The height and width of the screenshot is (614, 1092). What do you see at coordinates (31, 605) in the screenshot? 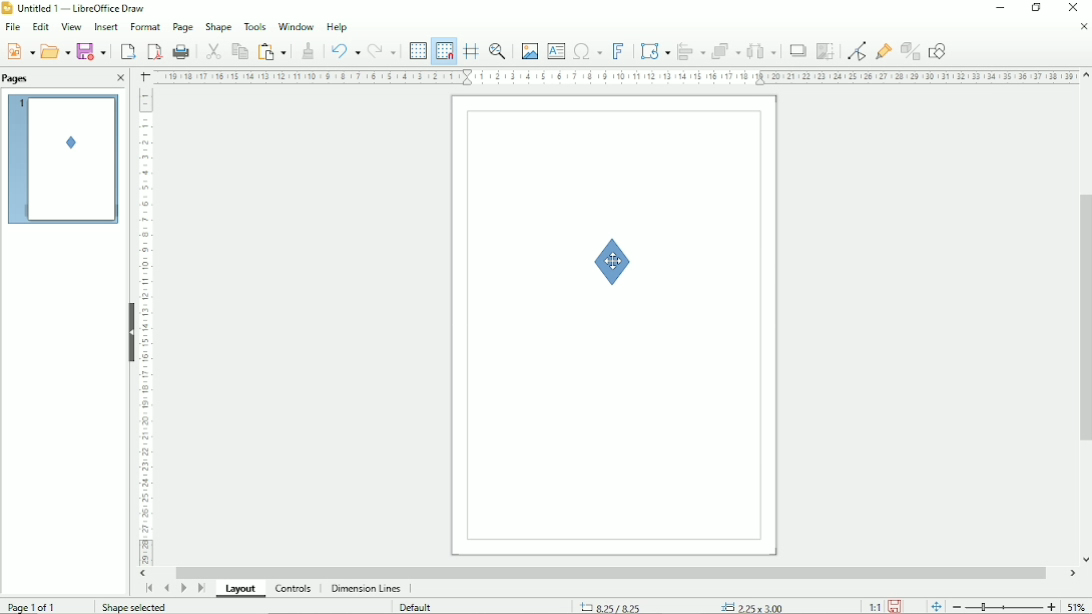
I see `Page 1 of 1` at bounding box center [31, 605].